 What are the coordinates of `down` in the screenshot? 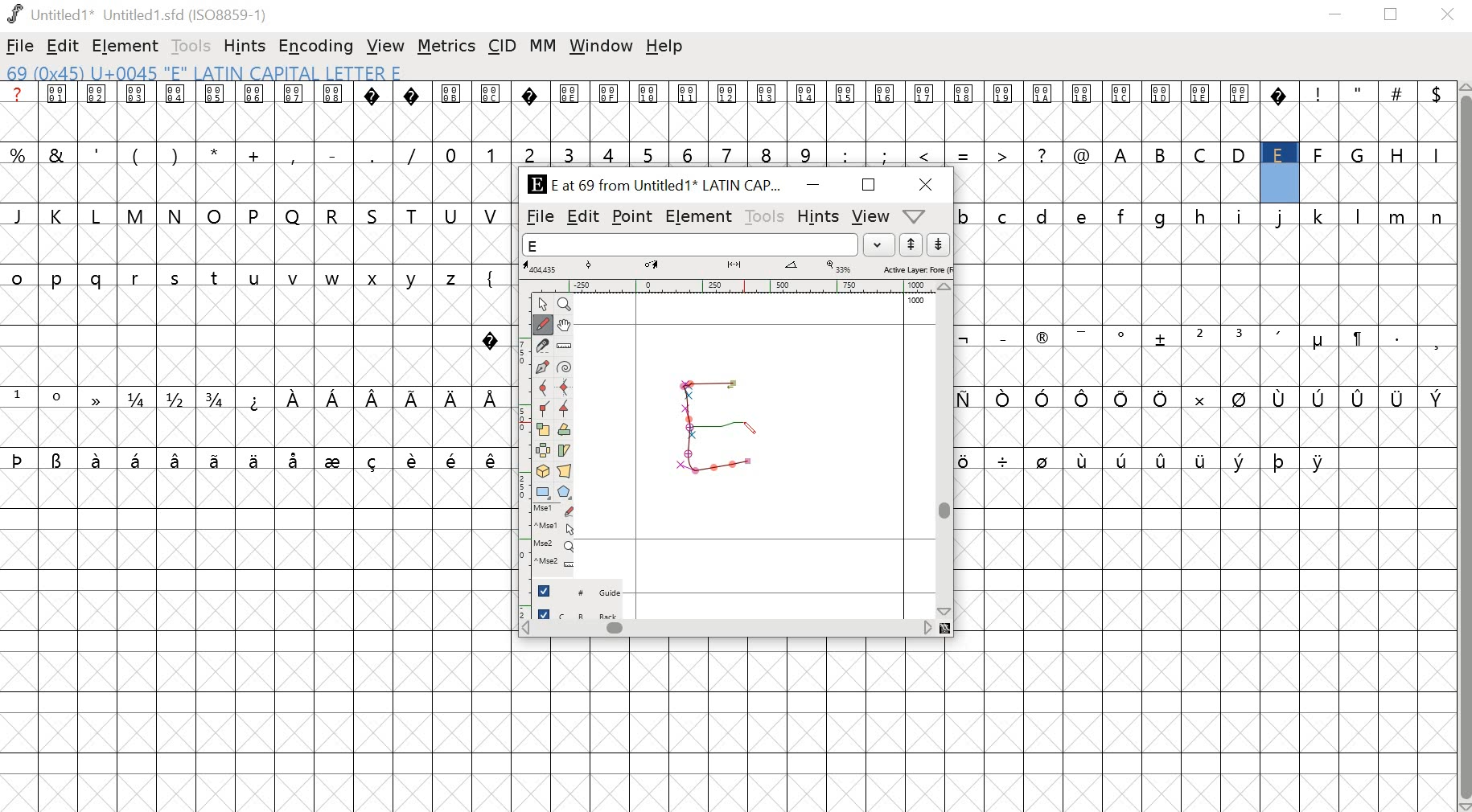 It's located at (937, 244).